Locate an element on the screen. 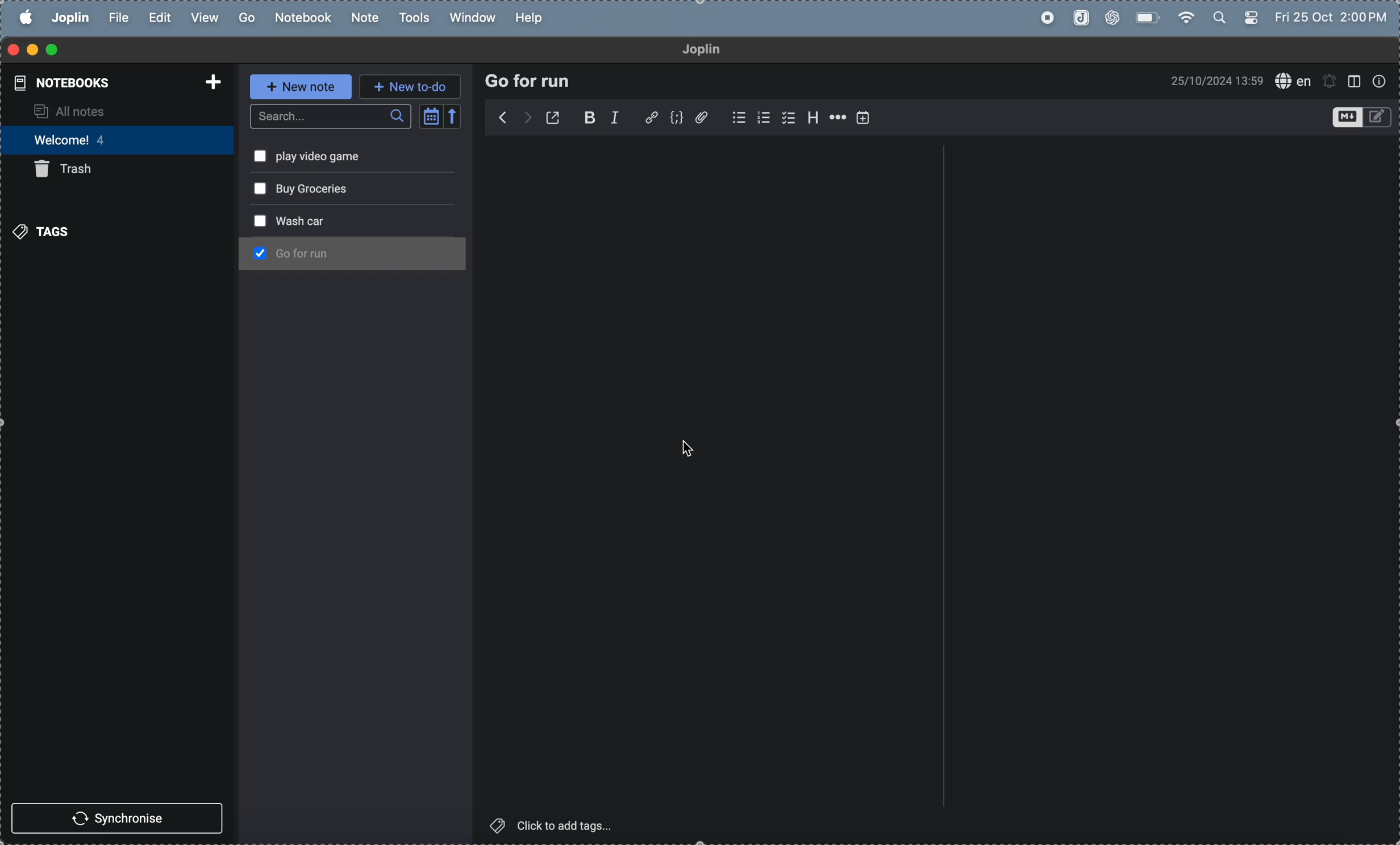 Image resolution: width=1400 pixels, height=845 pixels. go is located at coordinates (244, 16).